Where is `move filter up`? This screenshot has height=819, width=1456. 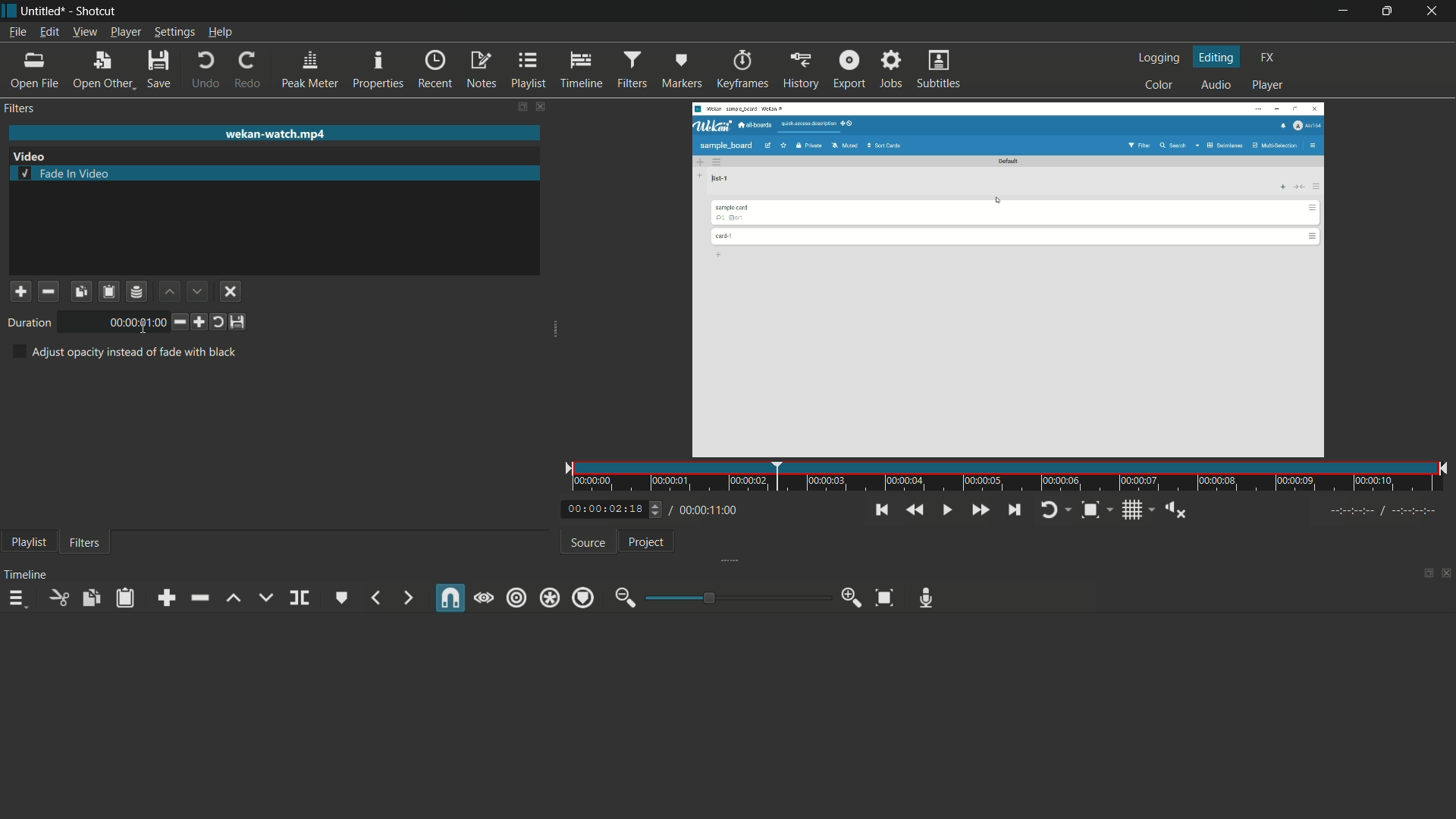 move filter up is located at coordinates (168, 290).